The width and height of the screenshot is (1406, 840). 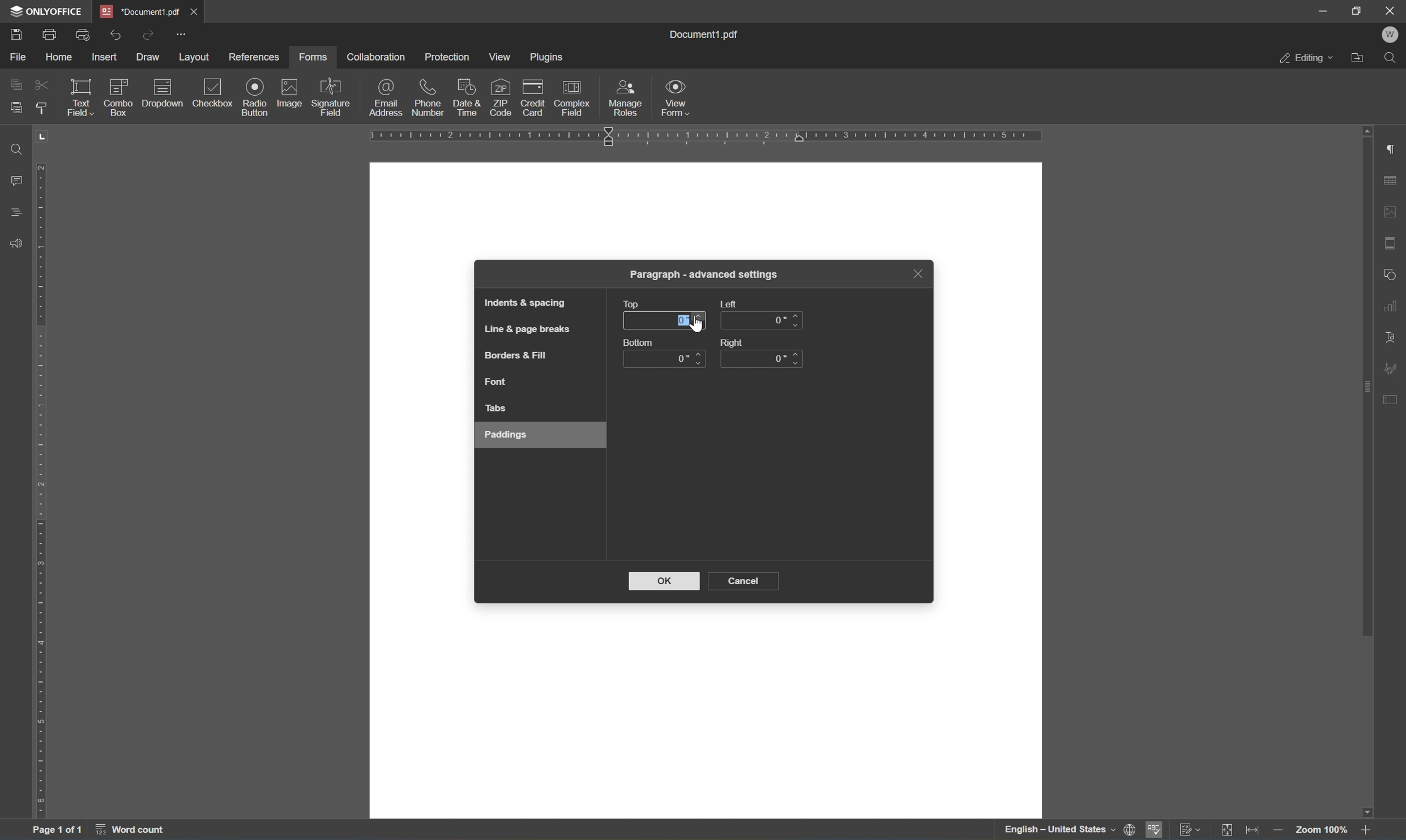 I want to click on text field, so click(x=78, y=96).